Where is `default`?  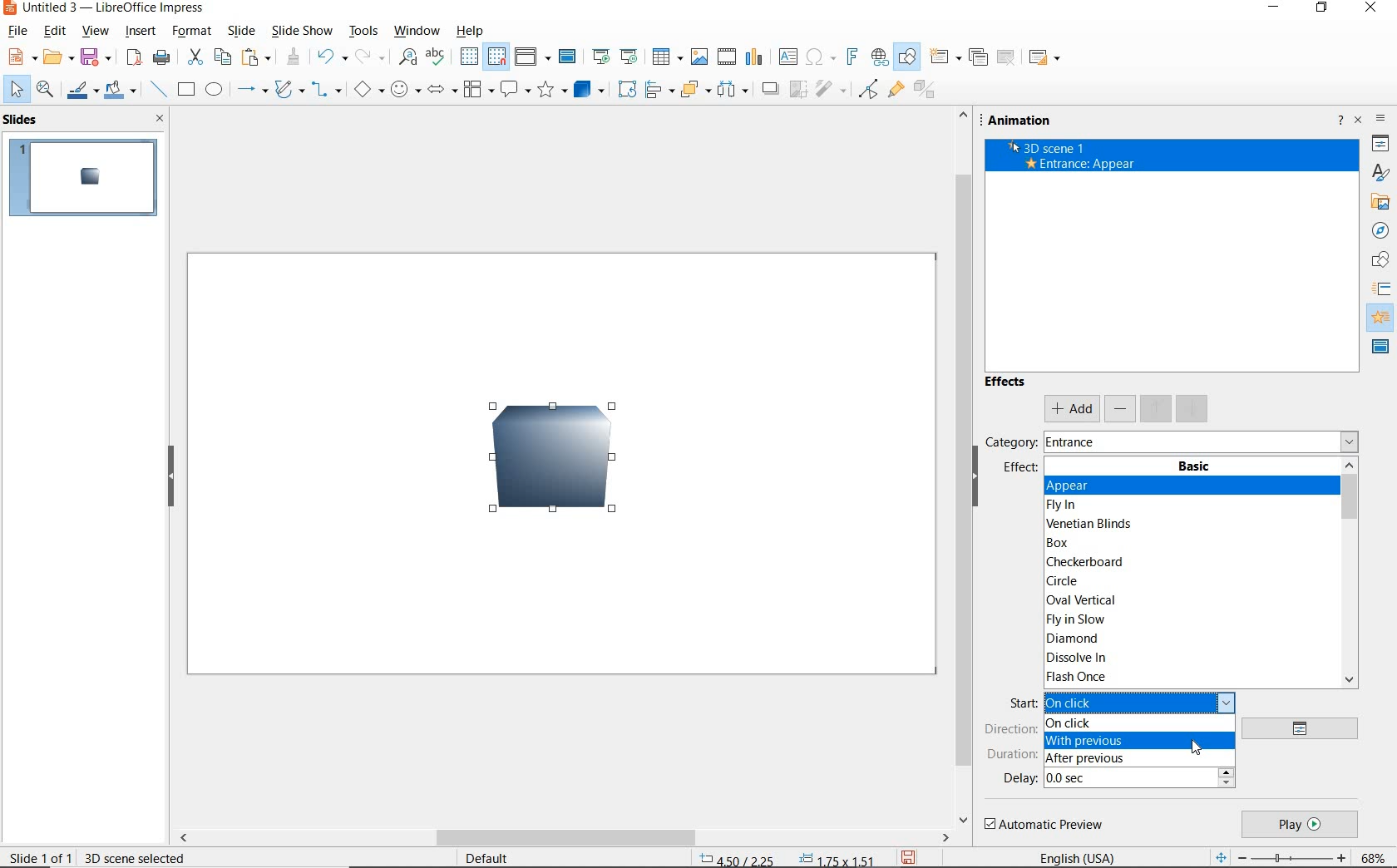 default is located at coordinates (485, 856).